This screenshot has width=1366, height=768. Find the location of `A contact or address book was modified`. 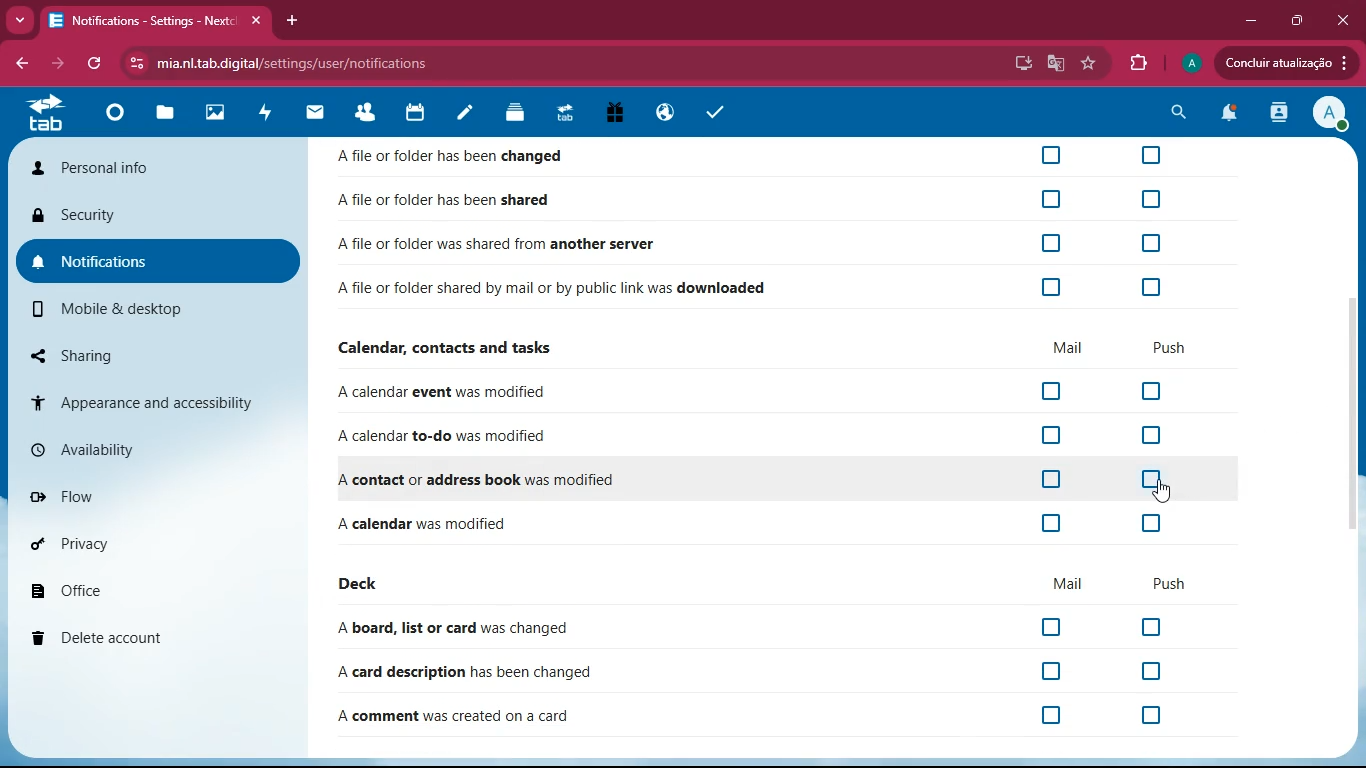

A contact or address book was modified is located at coordinates (482, 479).